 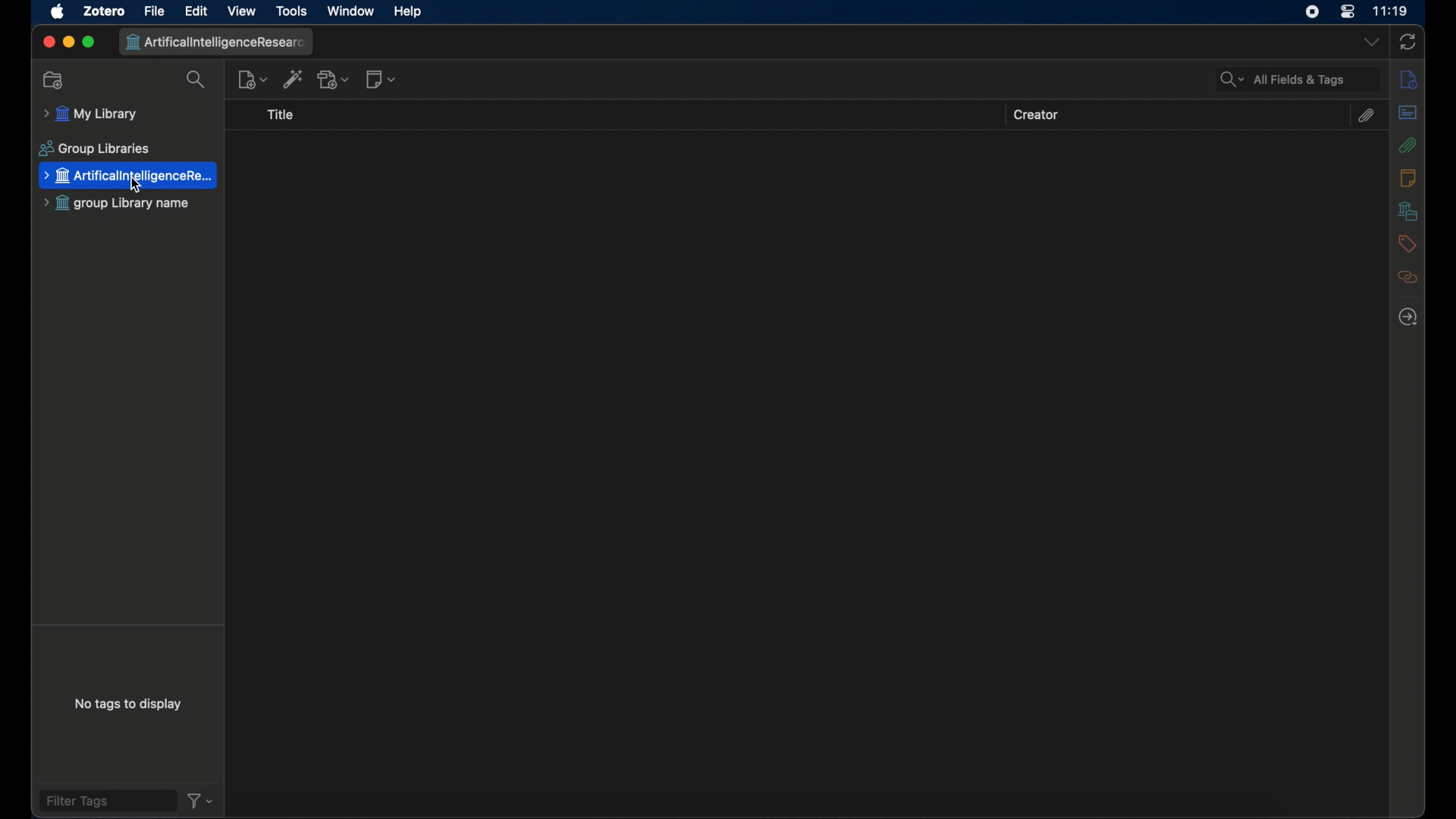 What do you see at coordinates (108, 801) in the screenshot?
I see `filter tags field` at bounding box center [108, 801].